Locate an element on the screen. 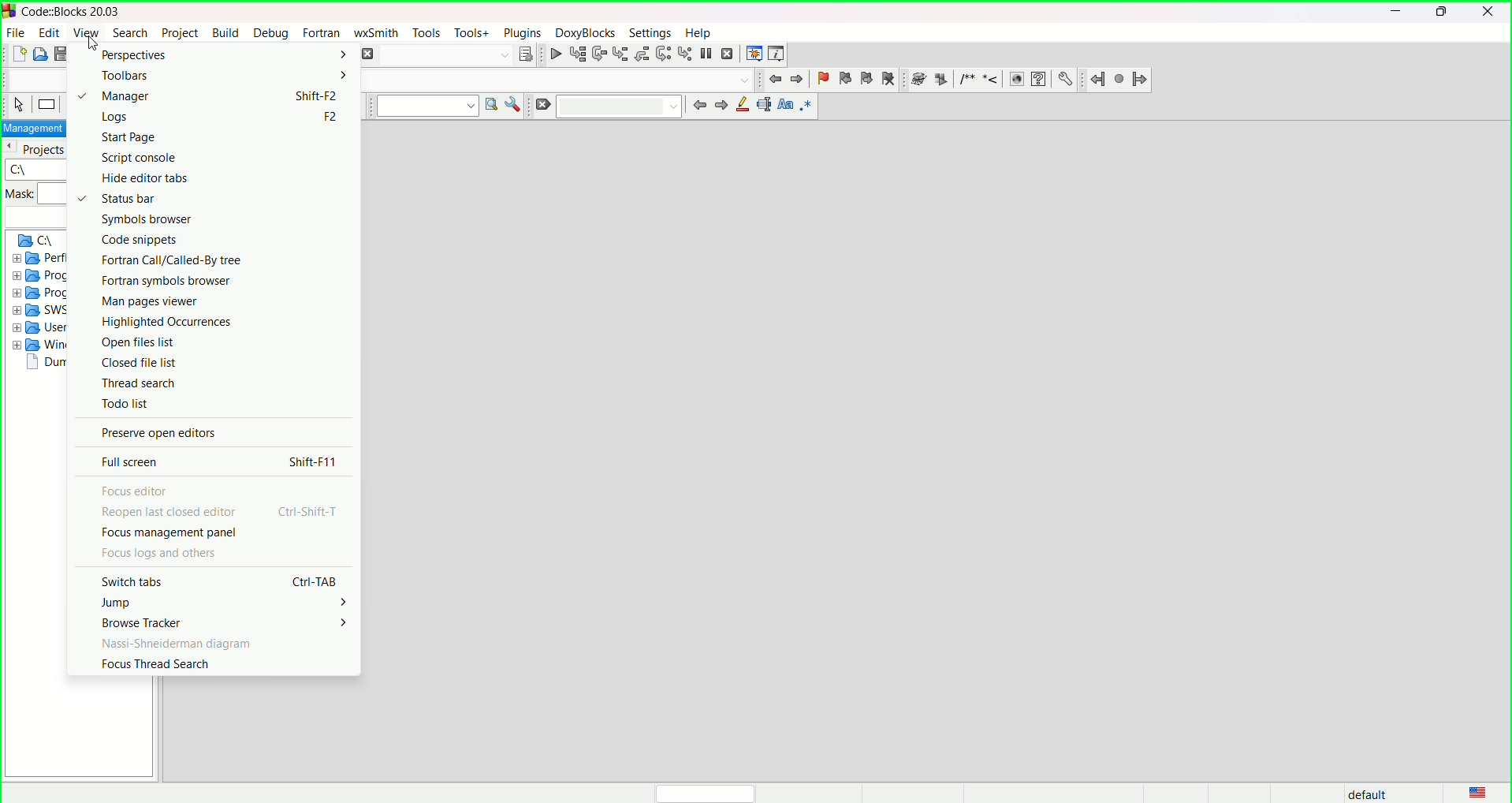 This screenshot has width=1512, height=803. various info is located at coordinates (780, 54).